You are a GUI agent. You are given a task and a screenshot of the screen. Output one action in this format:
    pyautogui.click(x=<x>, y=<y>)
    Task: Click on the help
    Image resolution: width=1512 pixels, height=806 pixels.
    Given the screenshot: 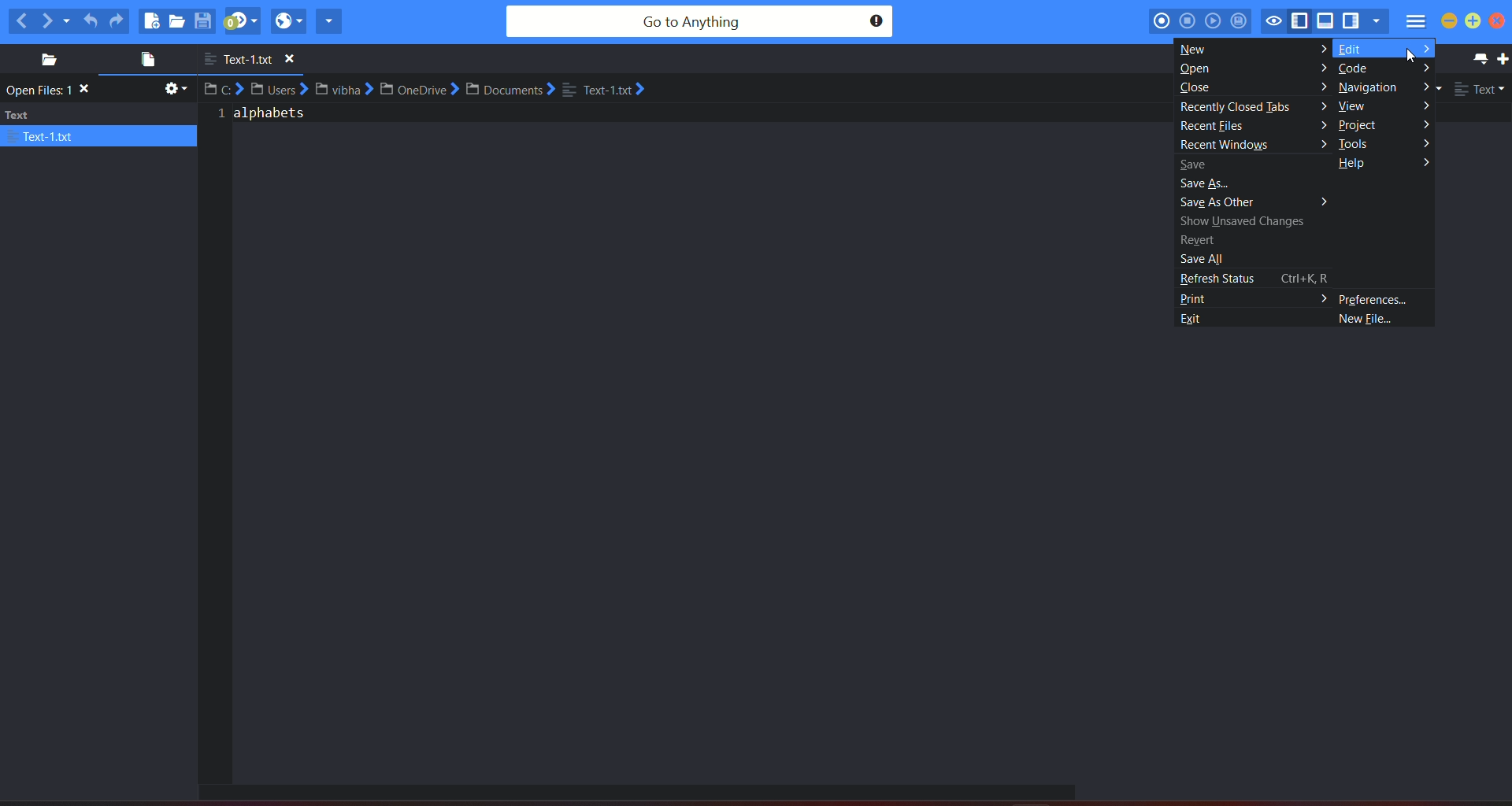 What is the action you would take?
    pyautogui.click(x=1354, y=166)
    